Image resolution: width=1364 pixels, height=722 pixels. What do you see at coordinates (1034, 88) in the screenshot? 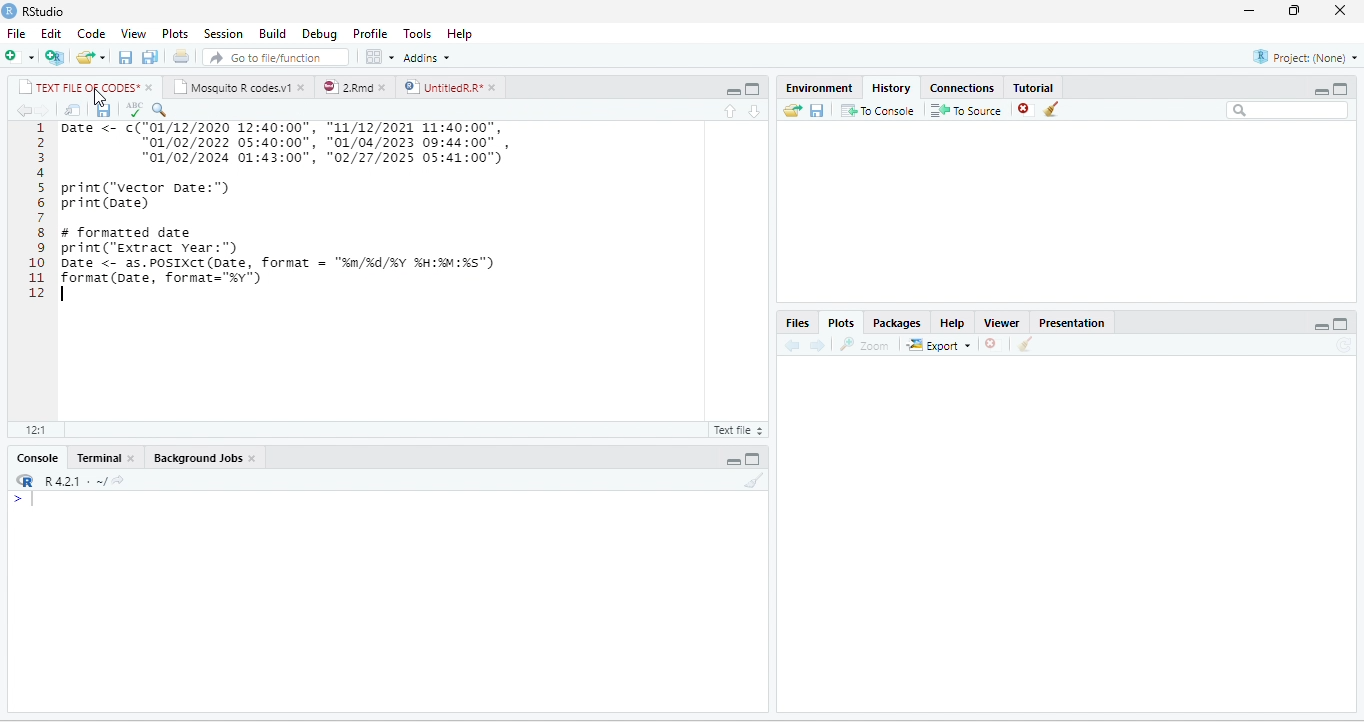
I see `Tutorial` at bounding box center [1034, 88].